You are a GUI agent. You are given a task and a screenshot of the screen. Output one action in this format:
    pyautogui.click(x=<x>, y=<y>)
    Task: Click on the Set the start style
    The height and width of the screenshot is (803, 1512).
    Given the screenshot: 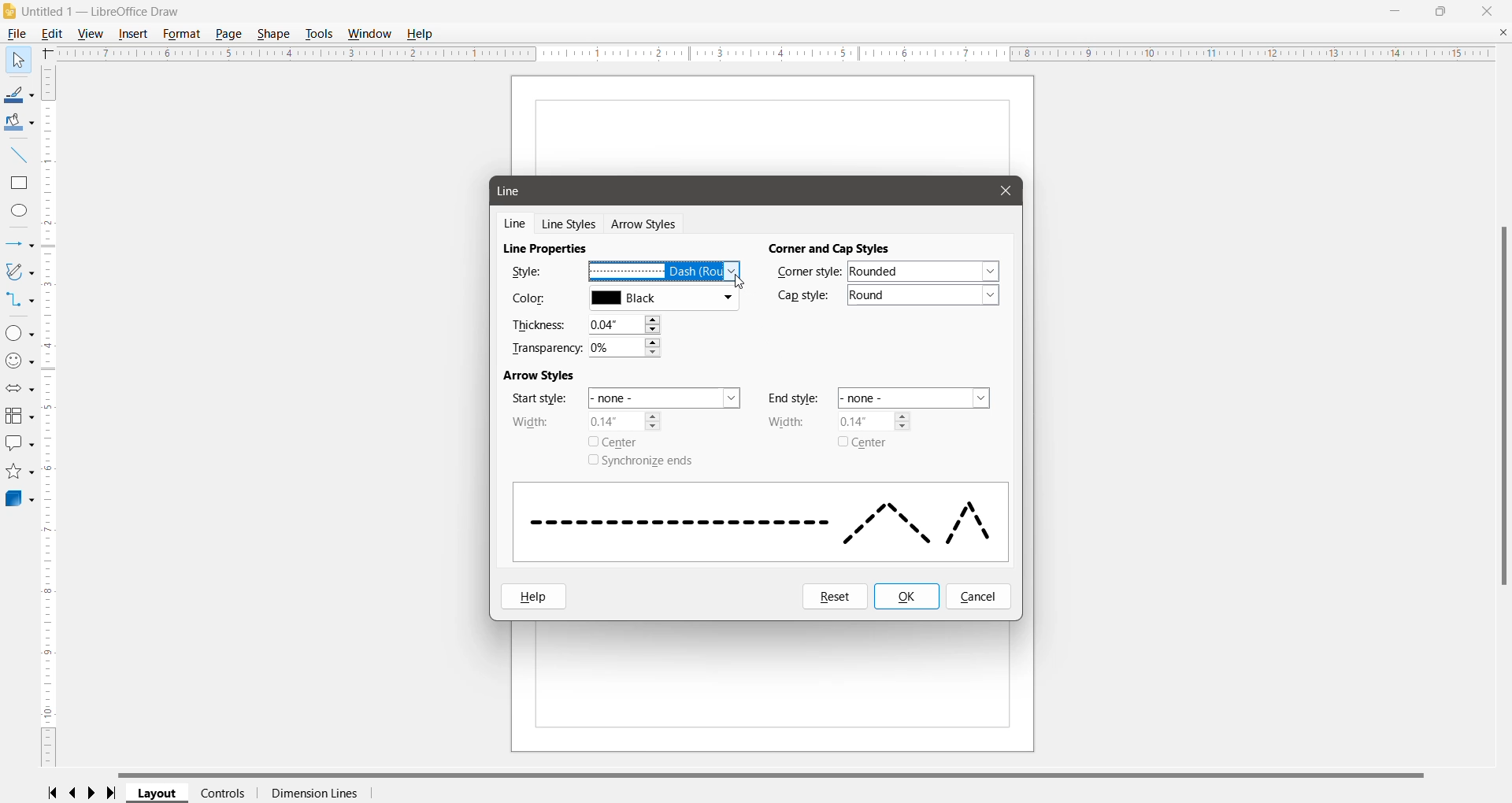 What is the action you would take?
    pyautogui.click(x=662, y=398)
    